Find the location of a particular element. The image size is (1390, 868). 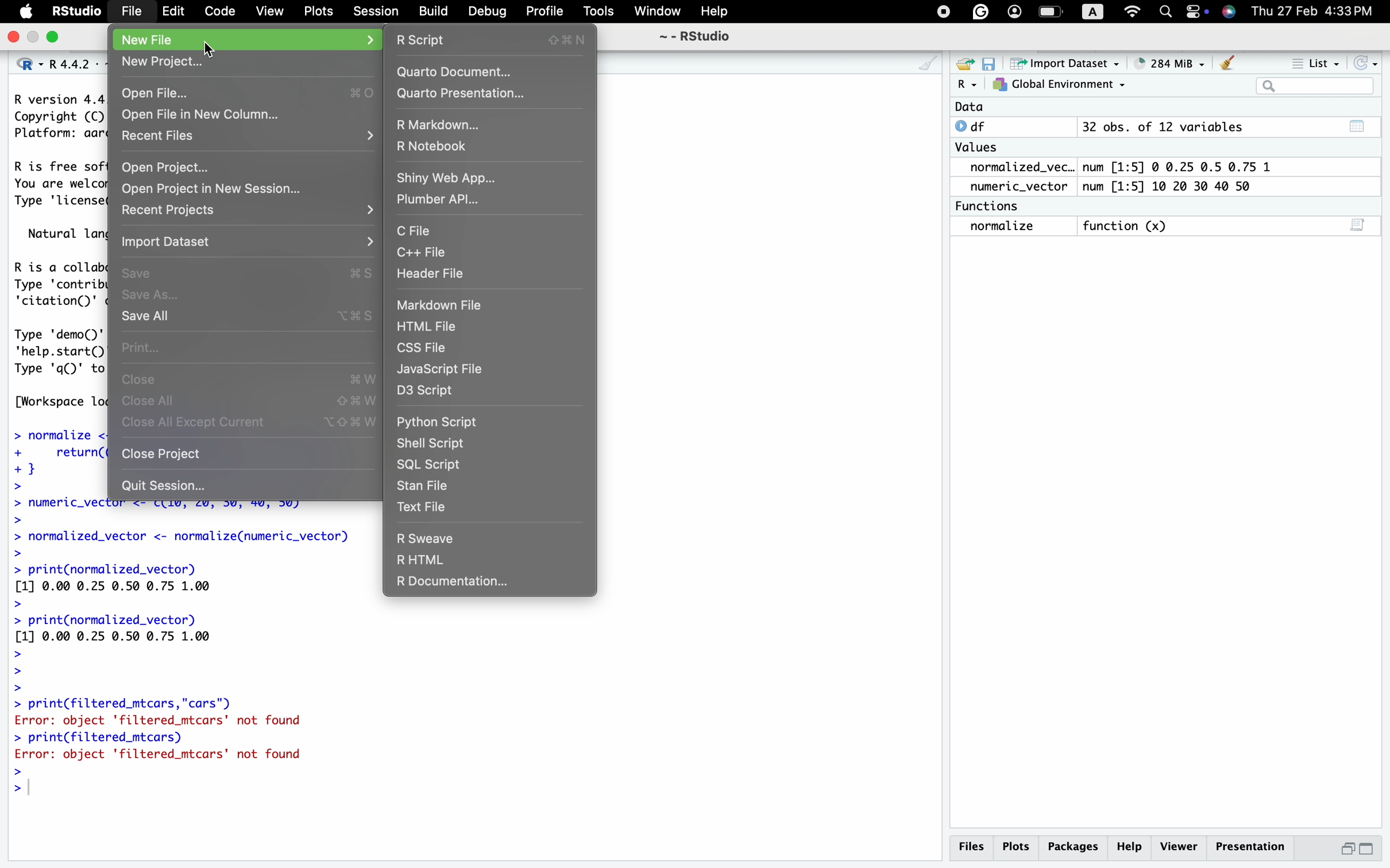

apple logo is located at coordinates (27, 10).